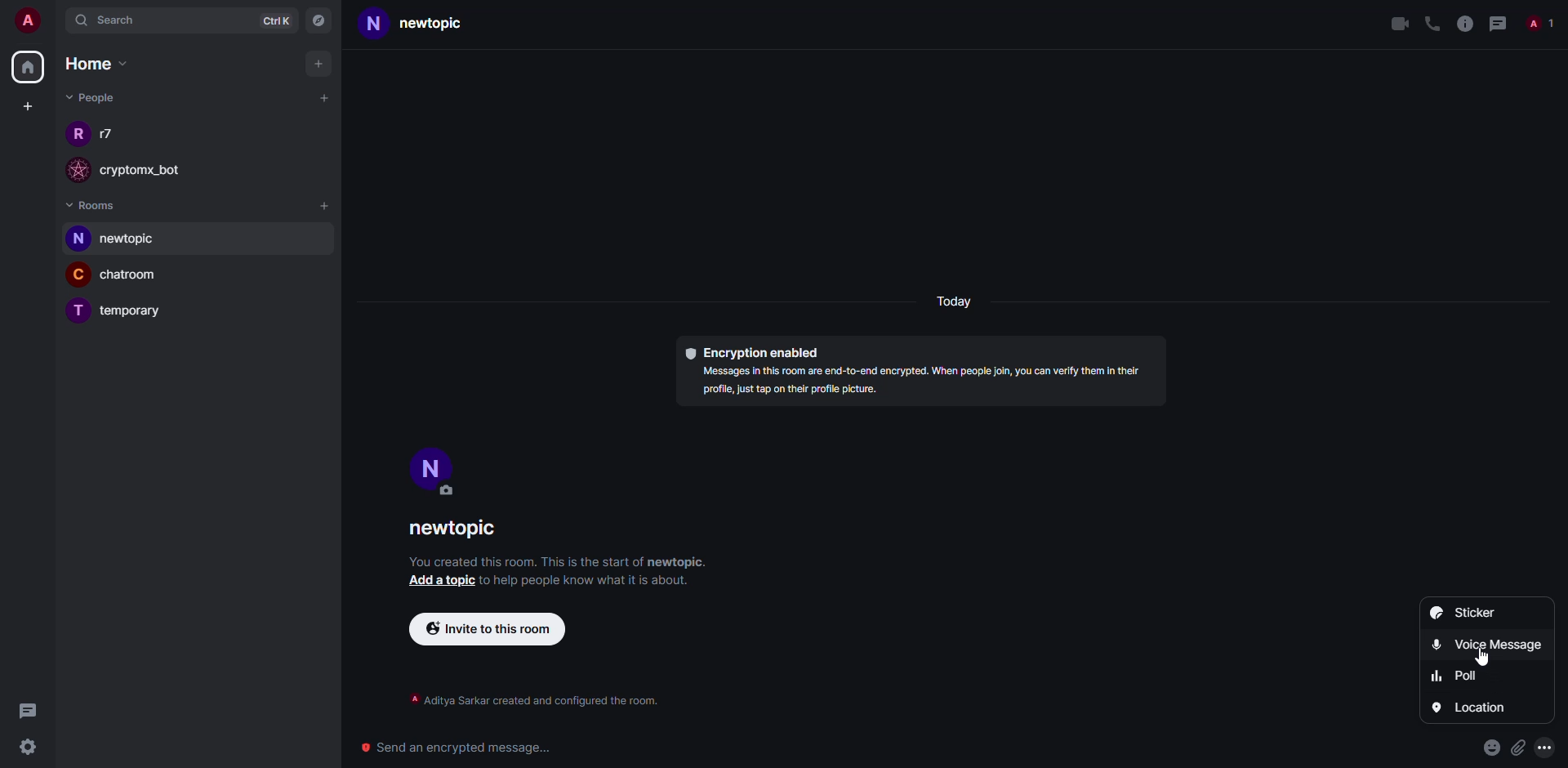 The width and height of the screenshot is (1568, 768). What do you see at coordinates (322, 20) in the screenshot?
I see `navigator` at bounding box center [322, 20].